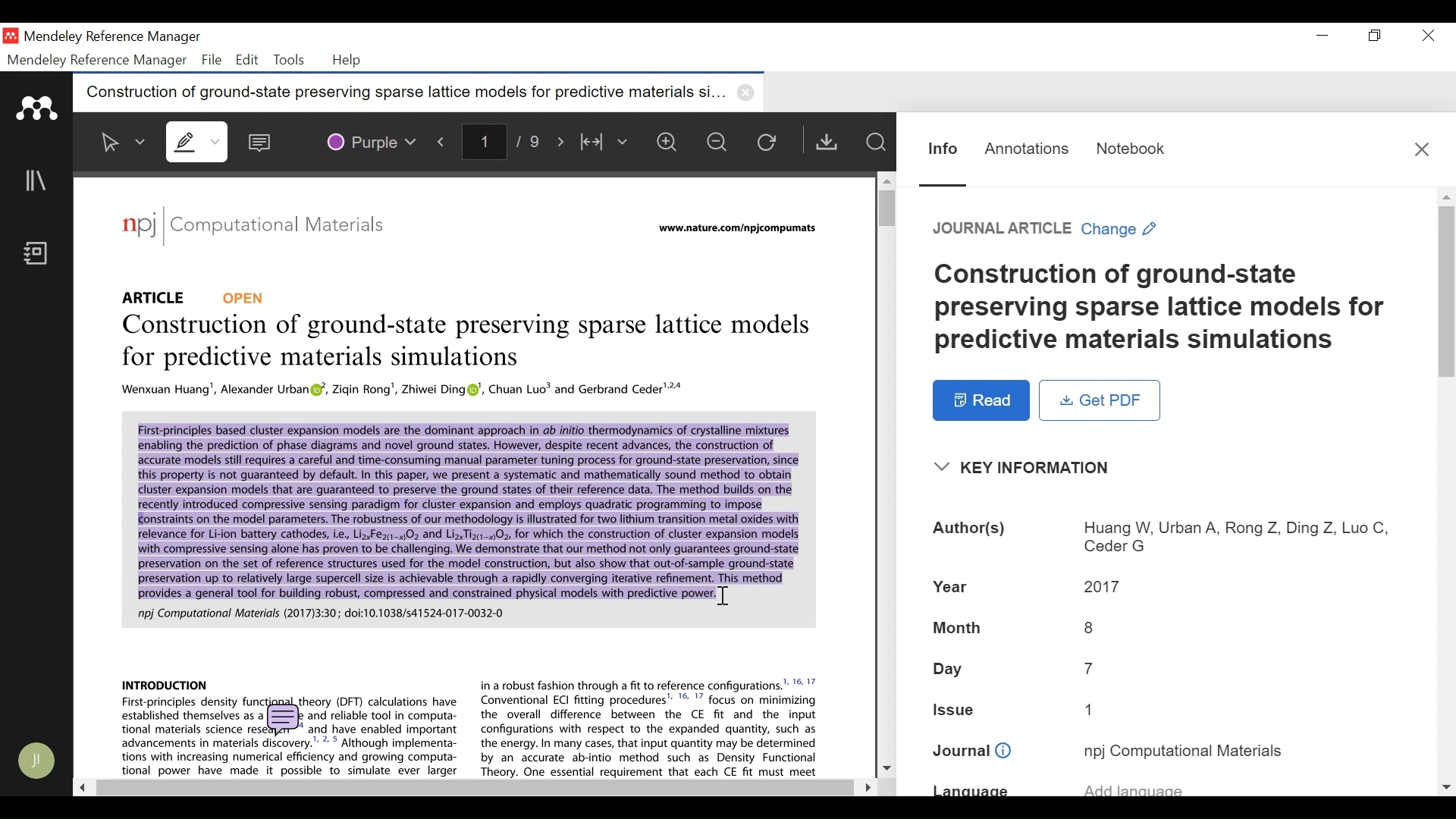  What do you see at coordinates (971, 790) in the screenshot?
I see `Language` at bounding box center [971, 790].